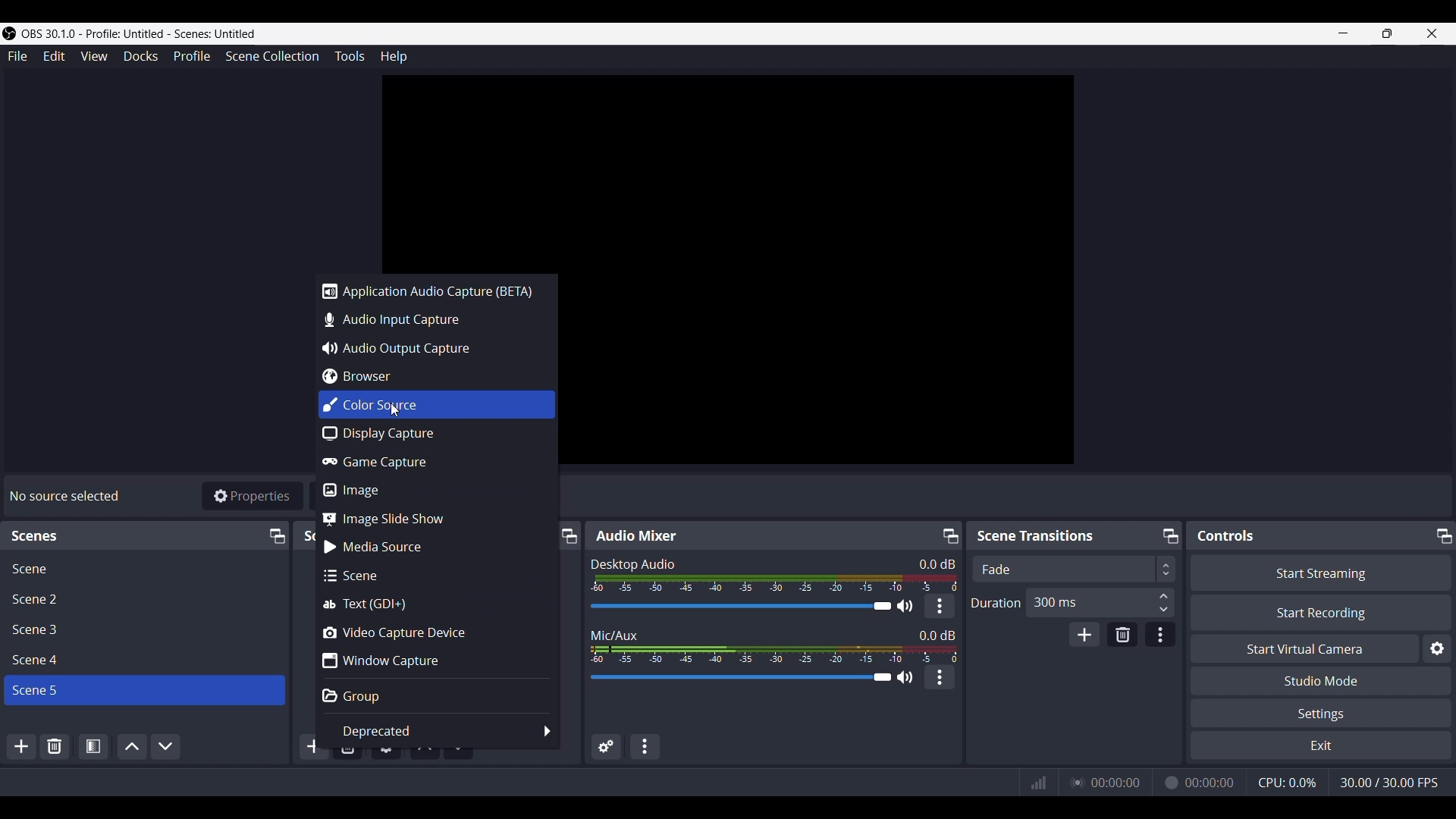 This screenshot has height=819, width=1456. I want to click on Settings, so click(1321, 714).